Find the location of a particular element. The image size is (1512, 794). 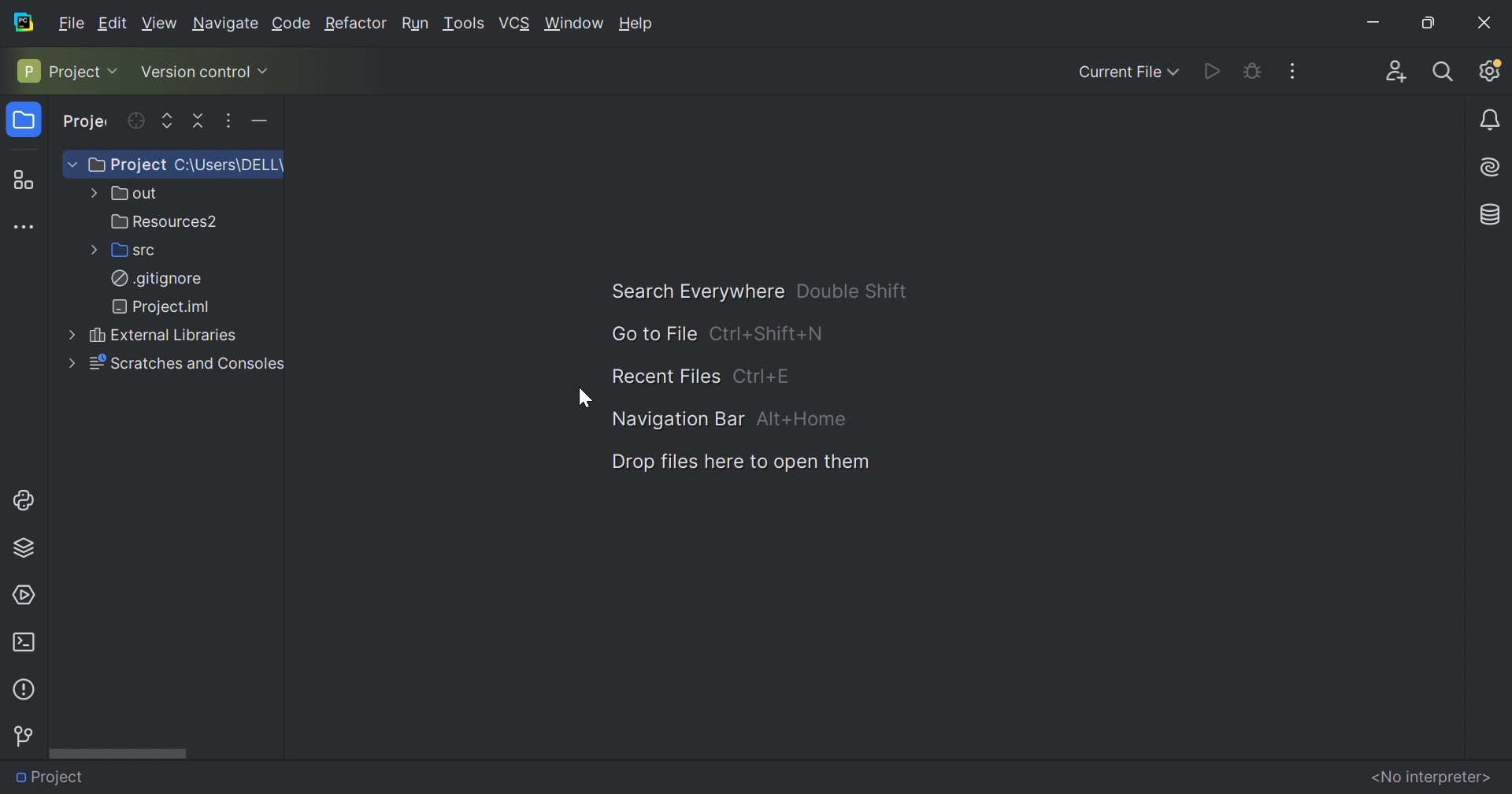

Scroll bar is located at coordinates (123, 753).